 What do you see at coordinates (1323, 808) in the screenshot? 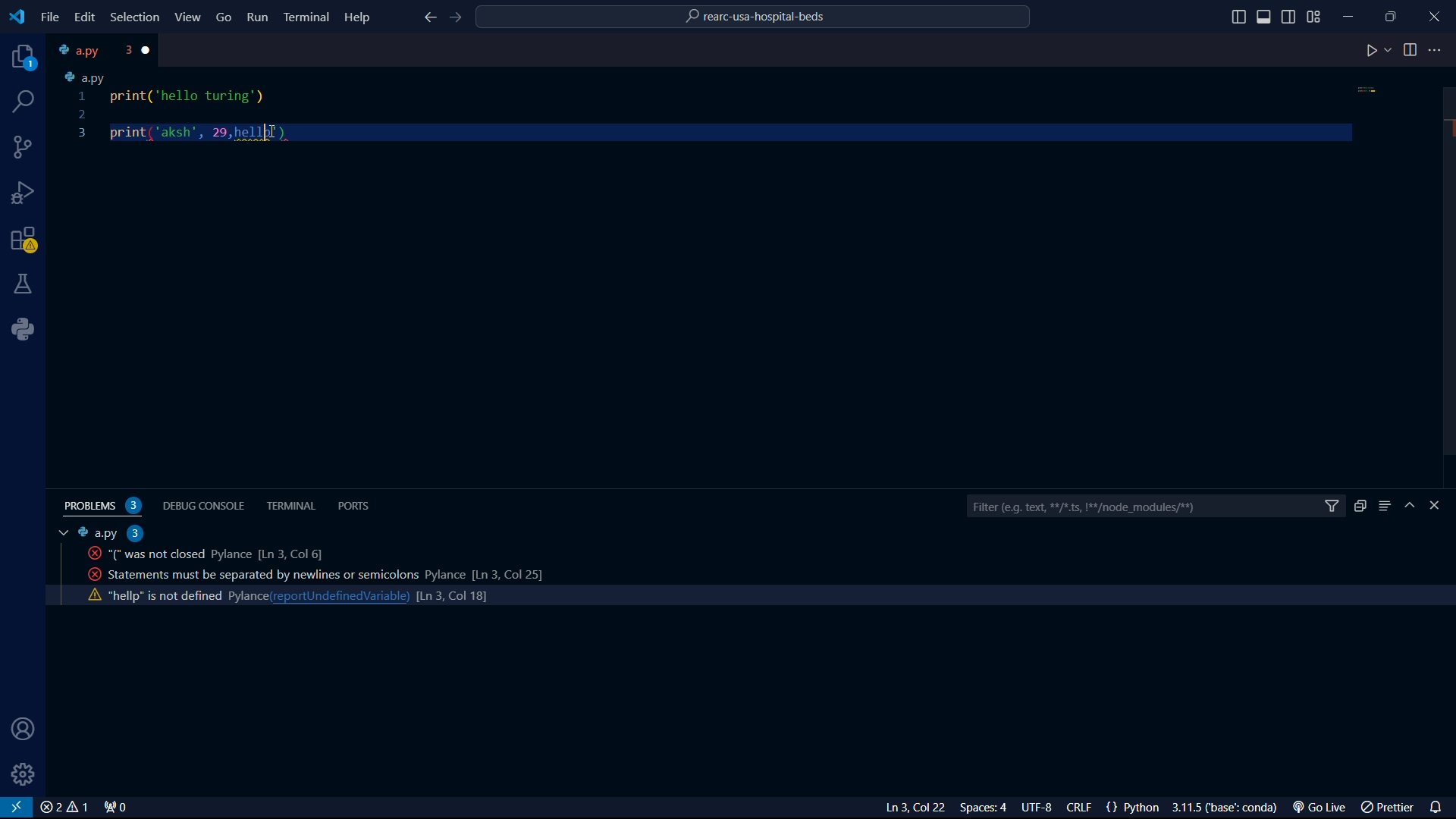
I see `Go Live` at bounding box center [1323, 808].